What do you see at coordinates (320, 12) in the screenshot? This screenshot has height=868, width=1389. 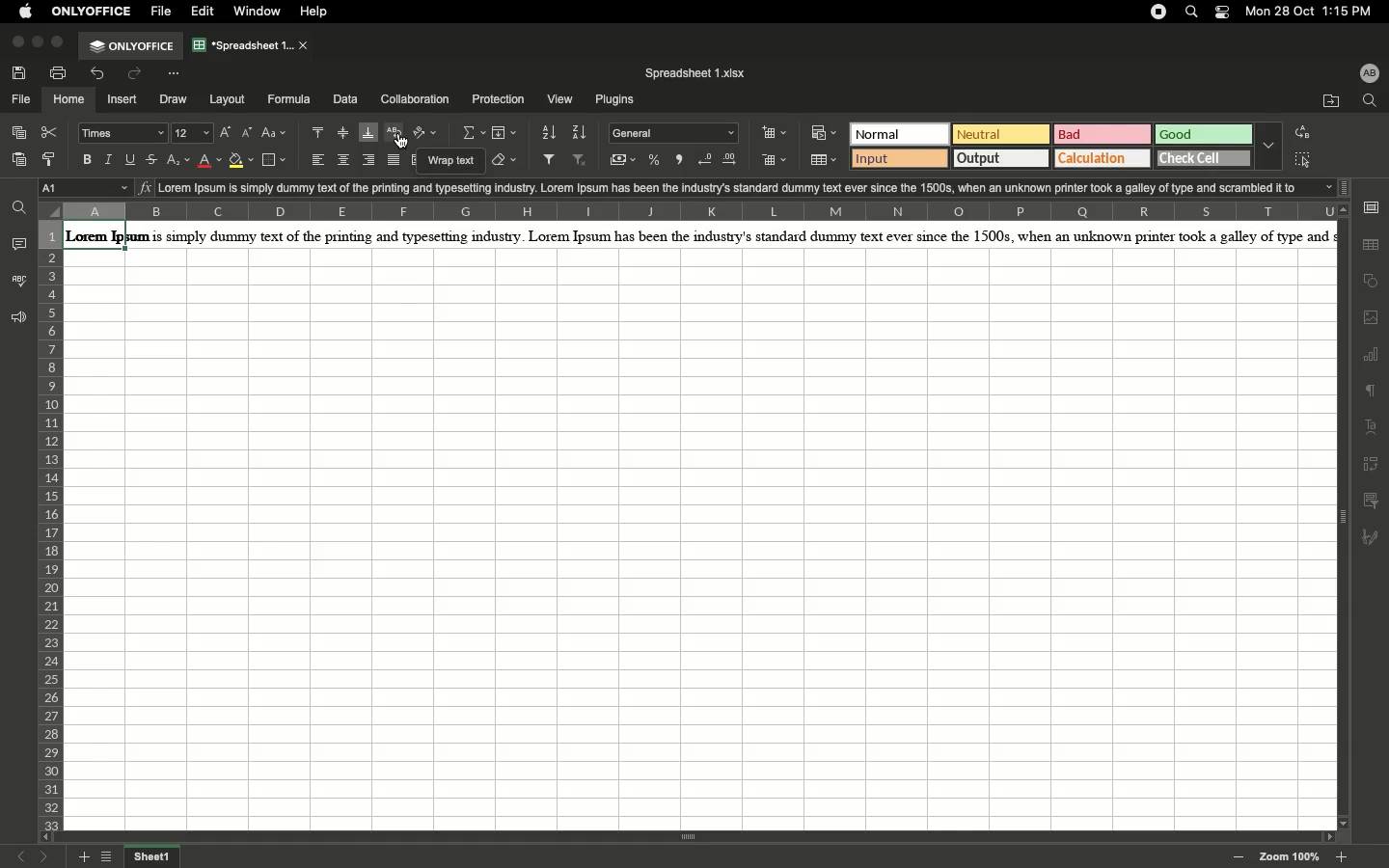 I see `Help` at bounding box center [320, 12].